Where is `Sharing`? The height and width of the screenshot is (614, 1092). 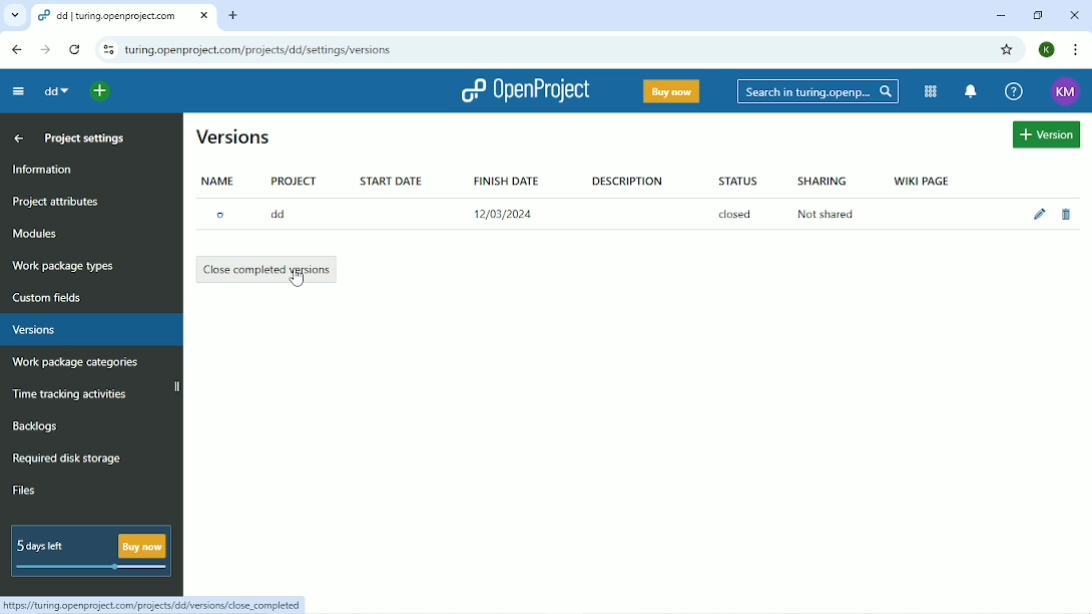
Sharing is located at coordinates (821, 181).